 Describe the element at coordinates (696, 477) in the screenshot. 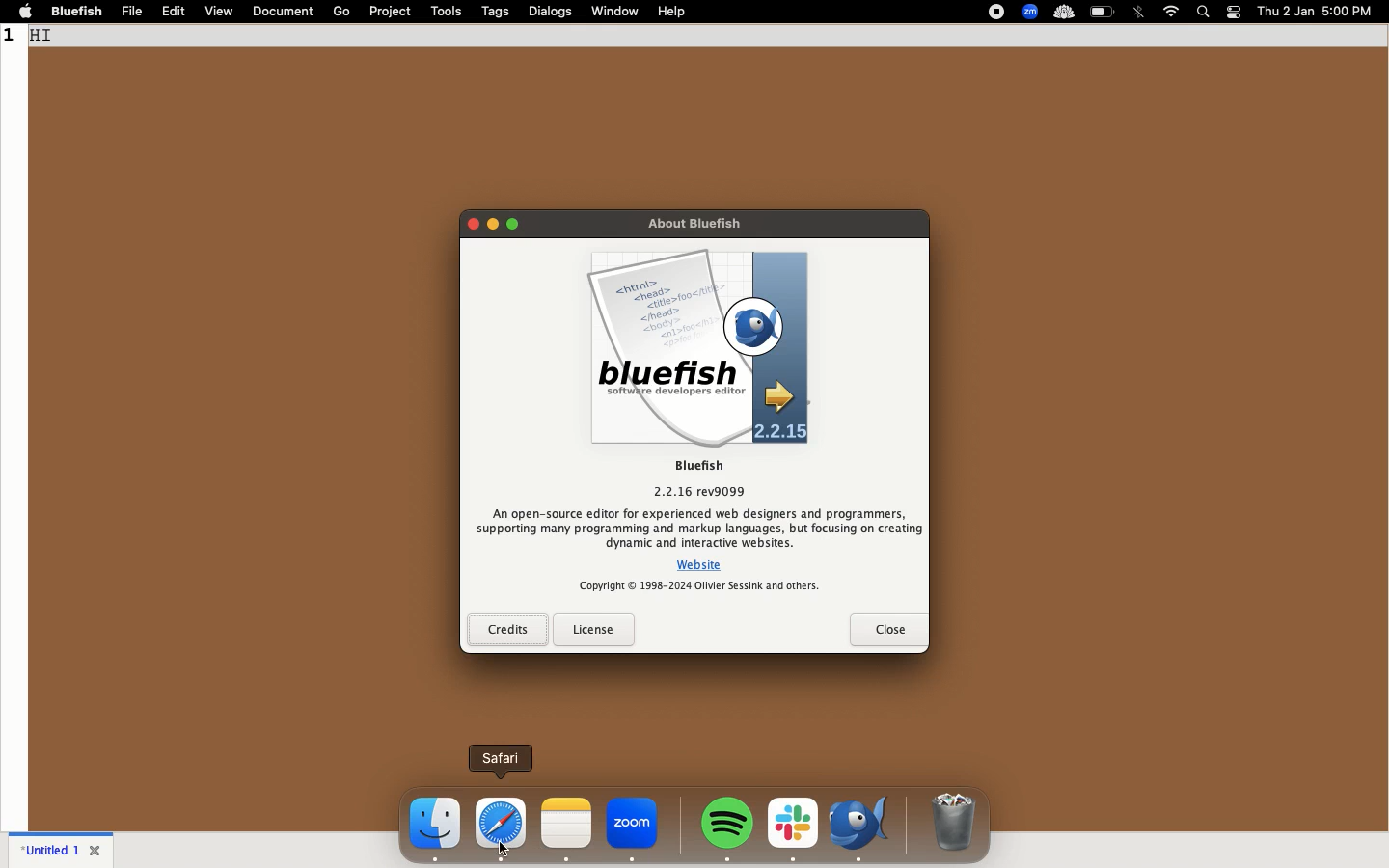

I see `Bluefish
2.2.16 rev9099` at that location.